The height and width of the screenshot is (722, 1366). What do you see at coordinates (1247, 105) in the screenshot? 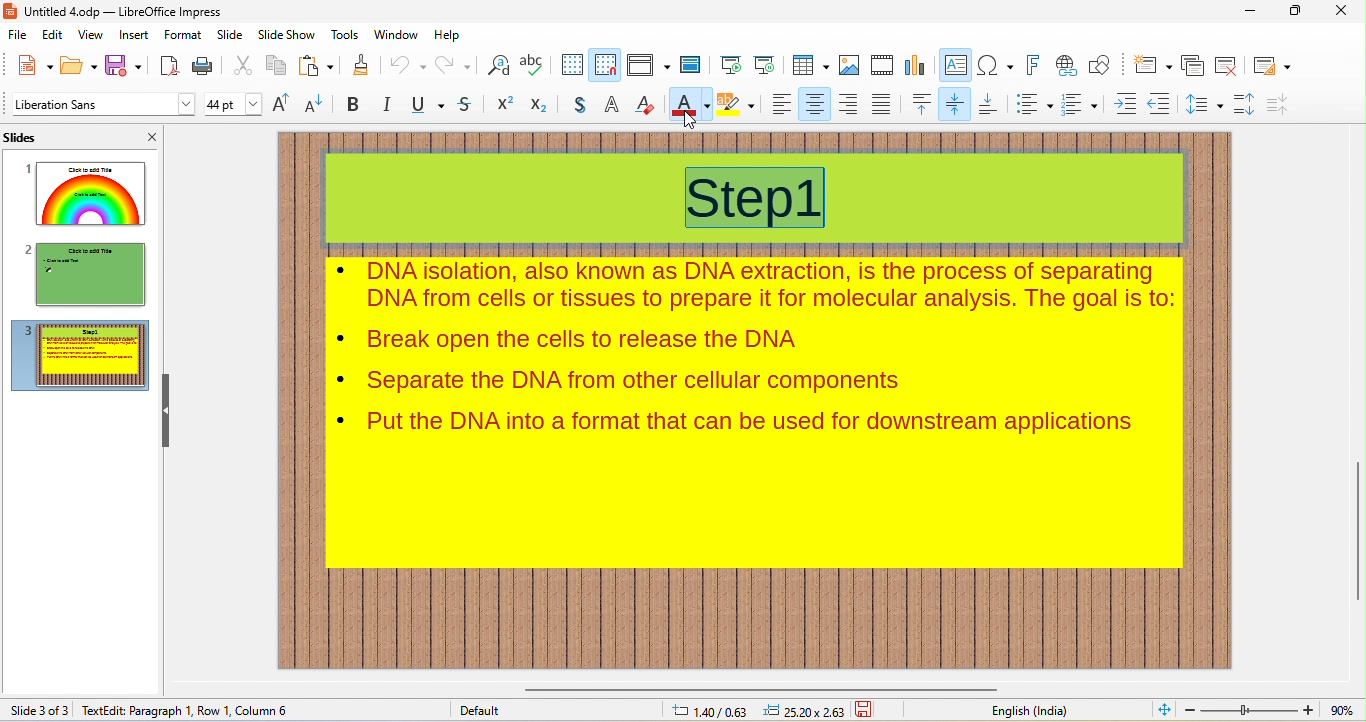
I see `increase paragraph spacing` at bounding box center [1247, 105].